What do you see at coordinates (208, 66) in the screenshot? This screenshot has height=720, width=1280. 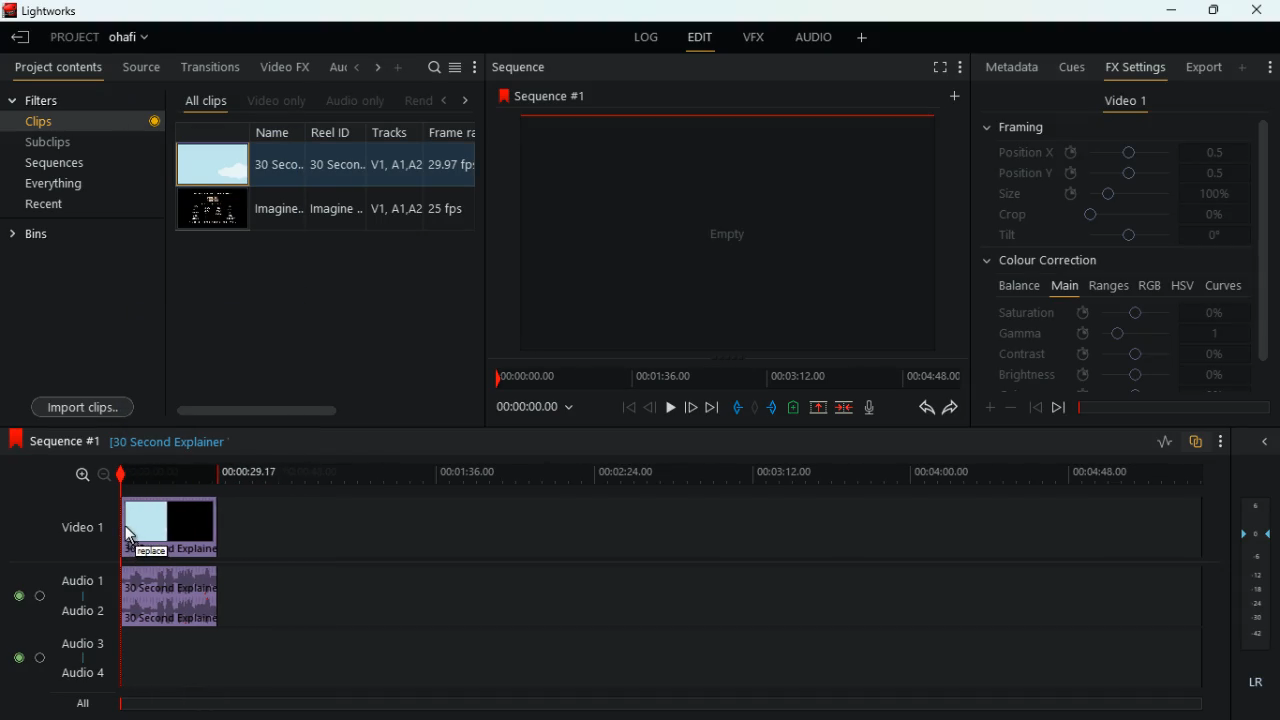 I see `transitions` at bounding box center [208, 66].